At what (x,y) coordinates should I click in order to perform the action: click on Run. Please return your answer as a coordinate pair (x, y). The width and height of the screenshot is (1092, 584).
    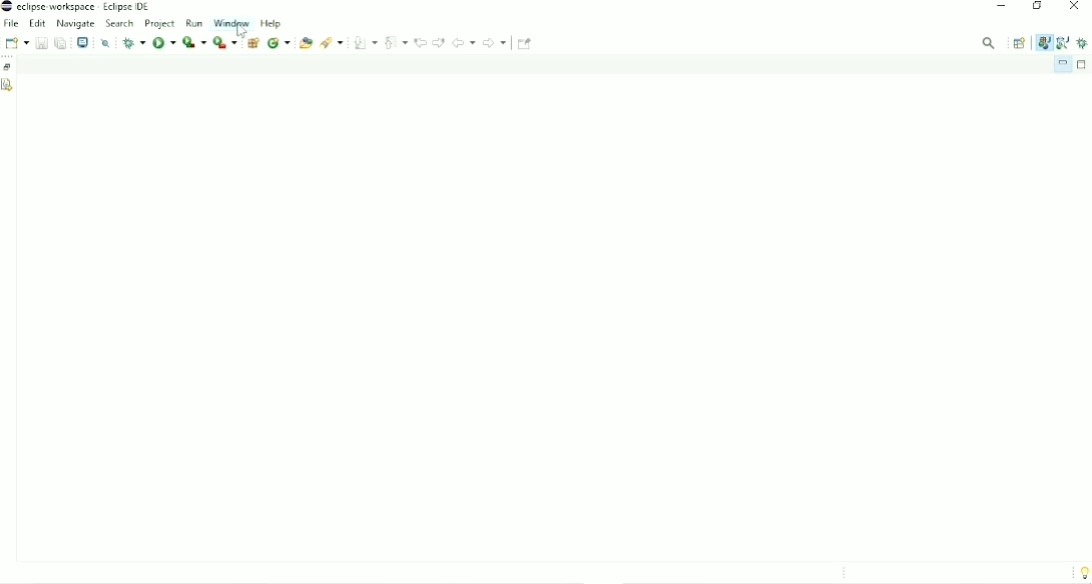
    Looking at the image, I should click on (194, 42).